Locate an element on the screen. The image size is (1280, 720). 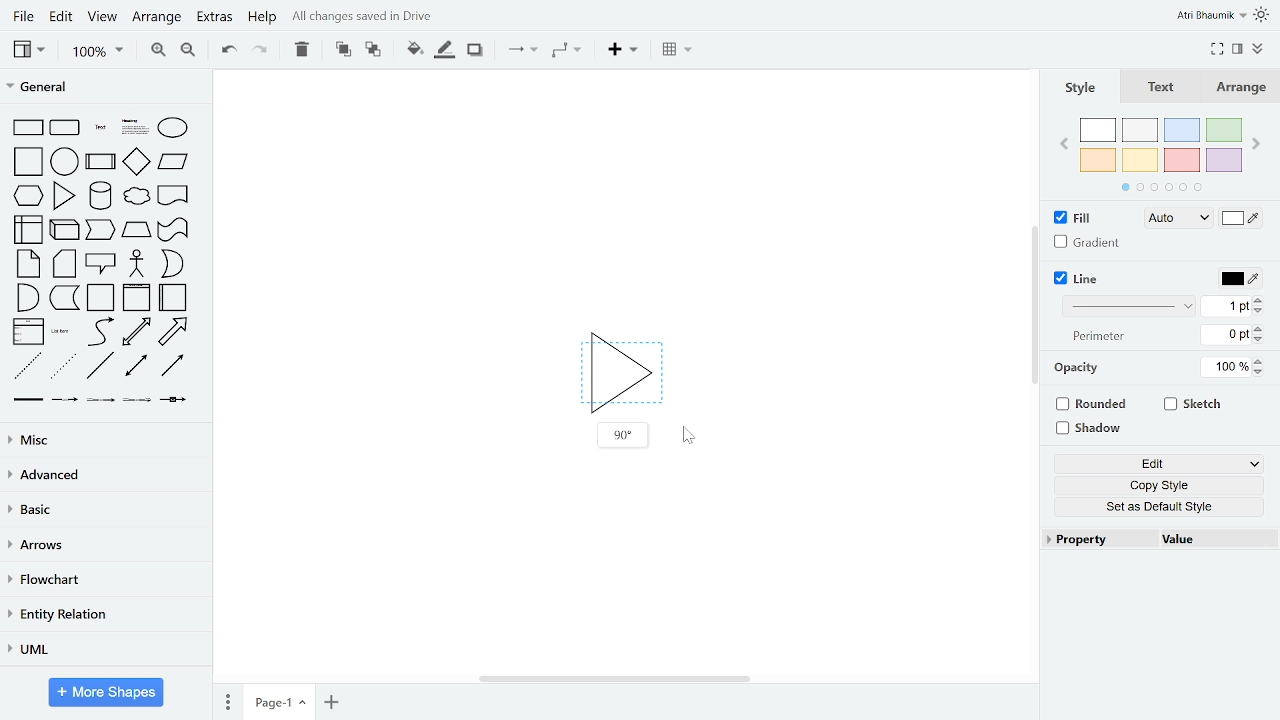
dotted line is located at coordinates (65, 367).